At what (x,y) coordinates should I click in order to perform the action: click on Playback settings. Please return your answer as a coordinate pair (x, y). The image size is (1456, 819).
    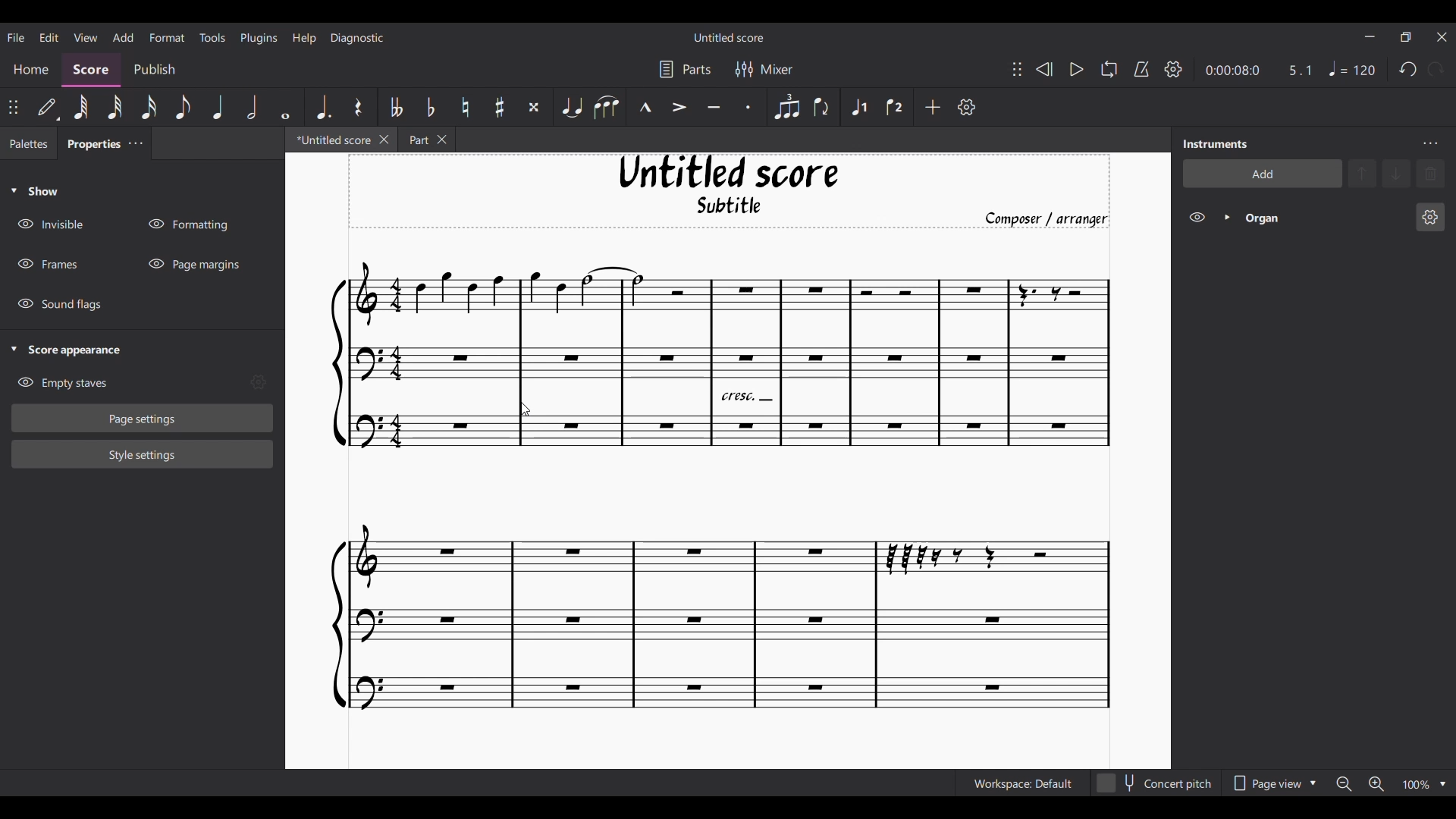
    Looking at the image, I should click on (1173, 69).